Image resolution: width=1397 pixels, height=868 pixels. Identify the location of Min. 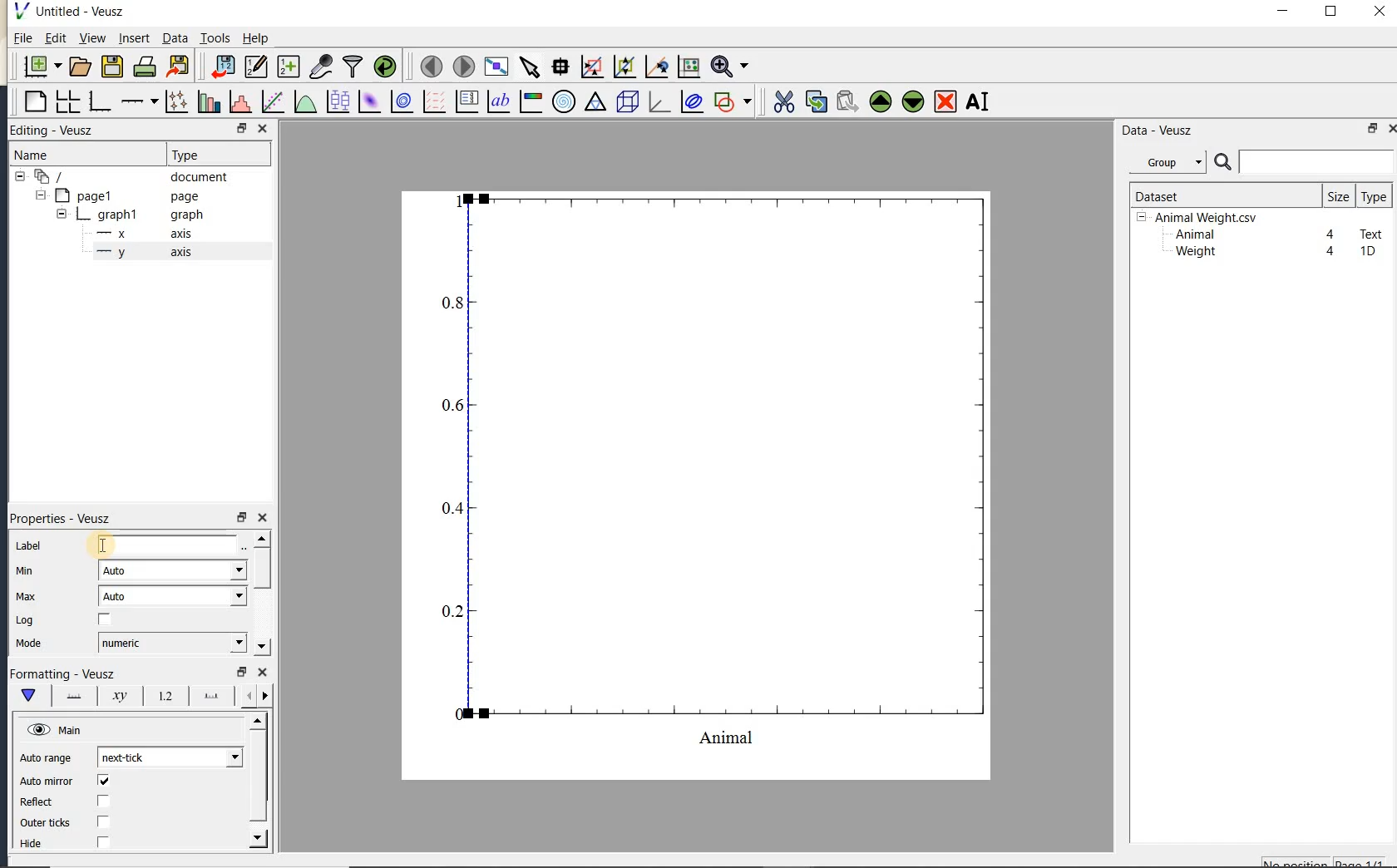
(27, 571).